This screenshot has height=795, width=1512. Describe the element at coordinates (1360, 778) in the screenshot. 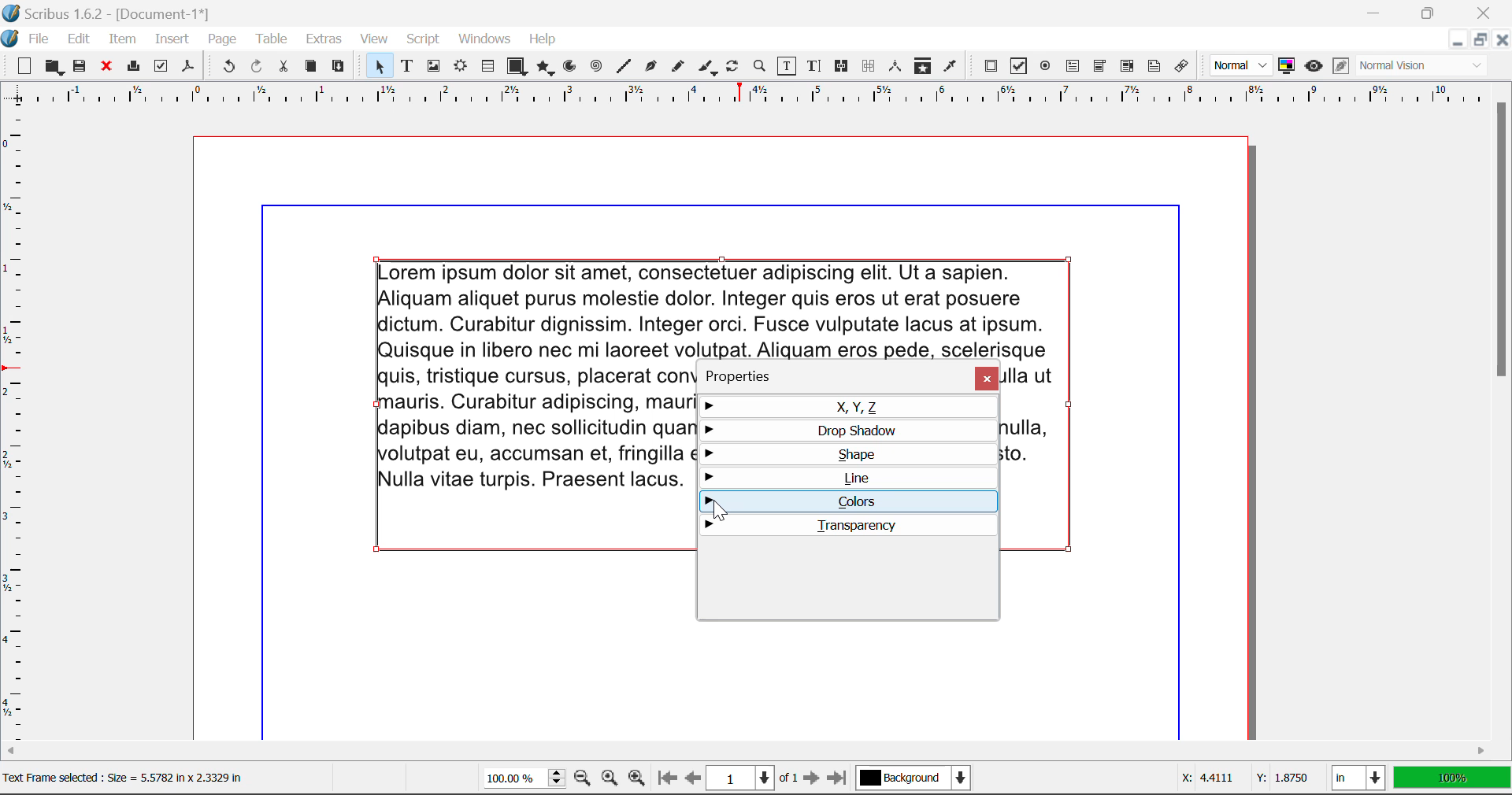

I see `Measurement Units` at that location.